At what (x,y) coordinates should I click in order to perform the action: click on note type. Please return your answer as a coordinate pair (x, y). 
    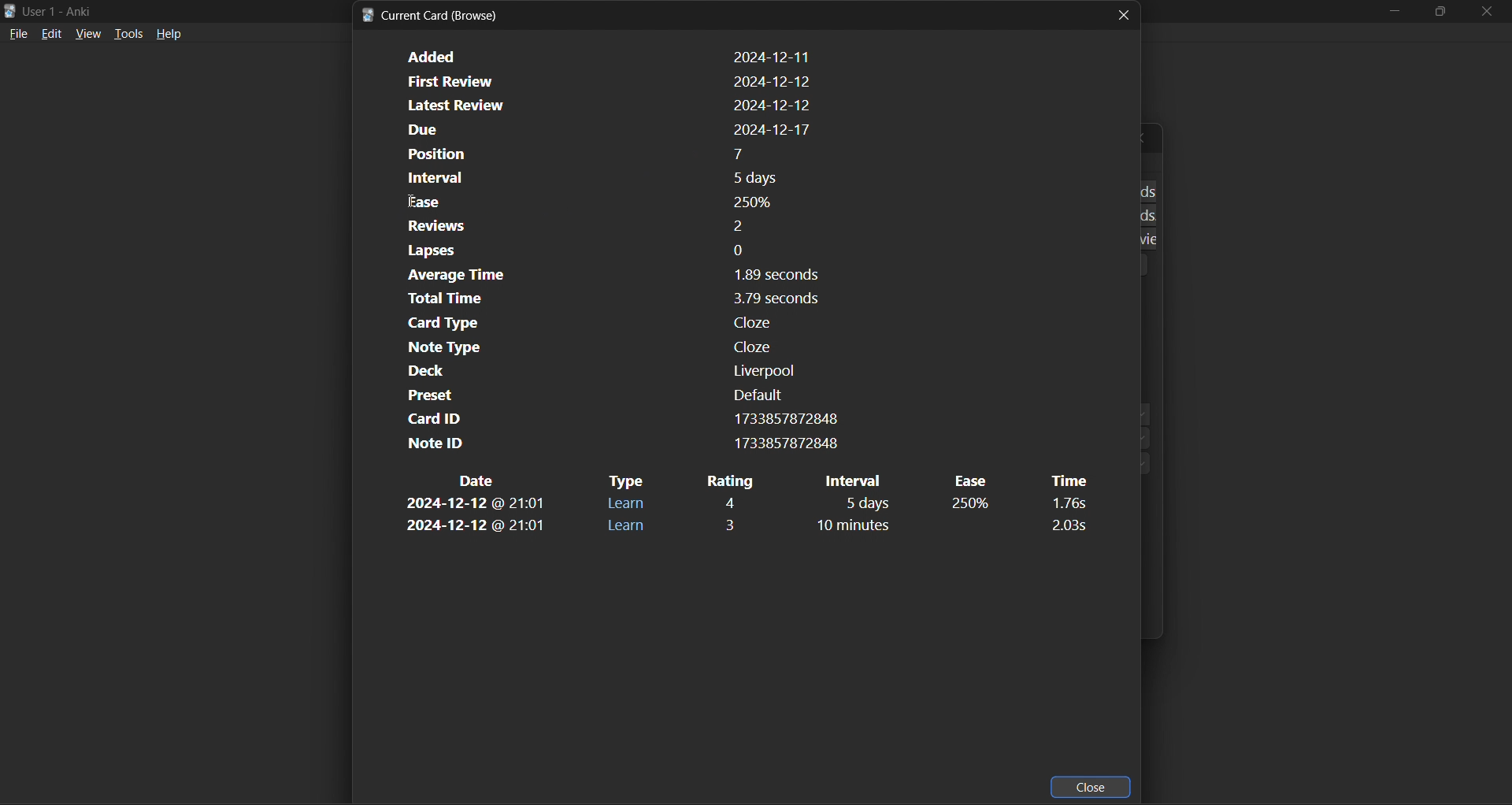
    Looking at the image, I should click on (600, 347).